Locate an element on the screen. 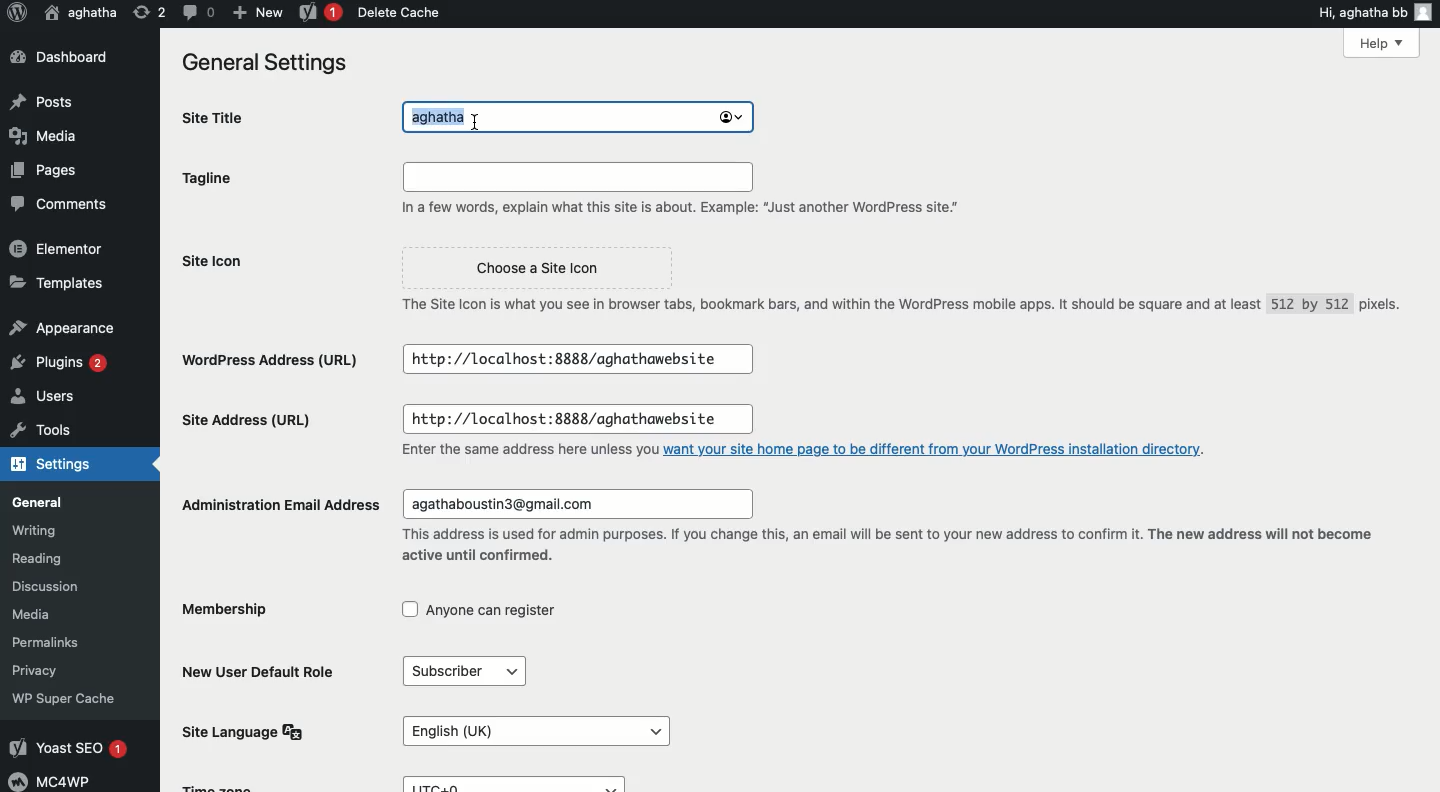 Image resolution: width=1440 pixels, height=792 pixels. Media is located at coordinates (41, 134).